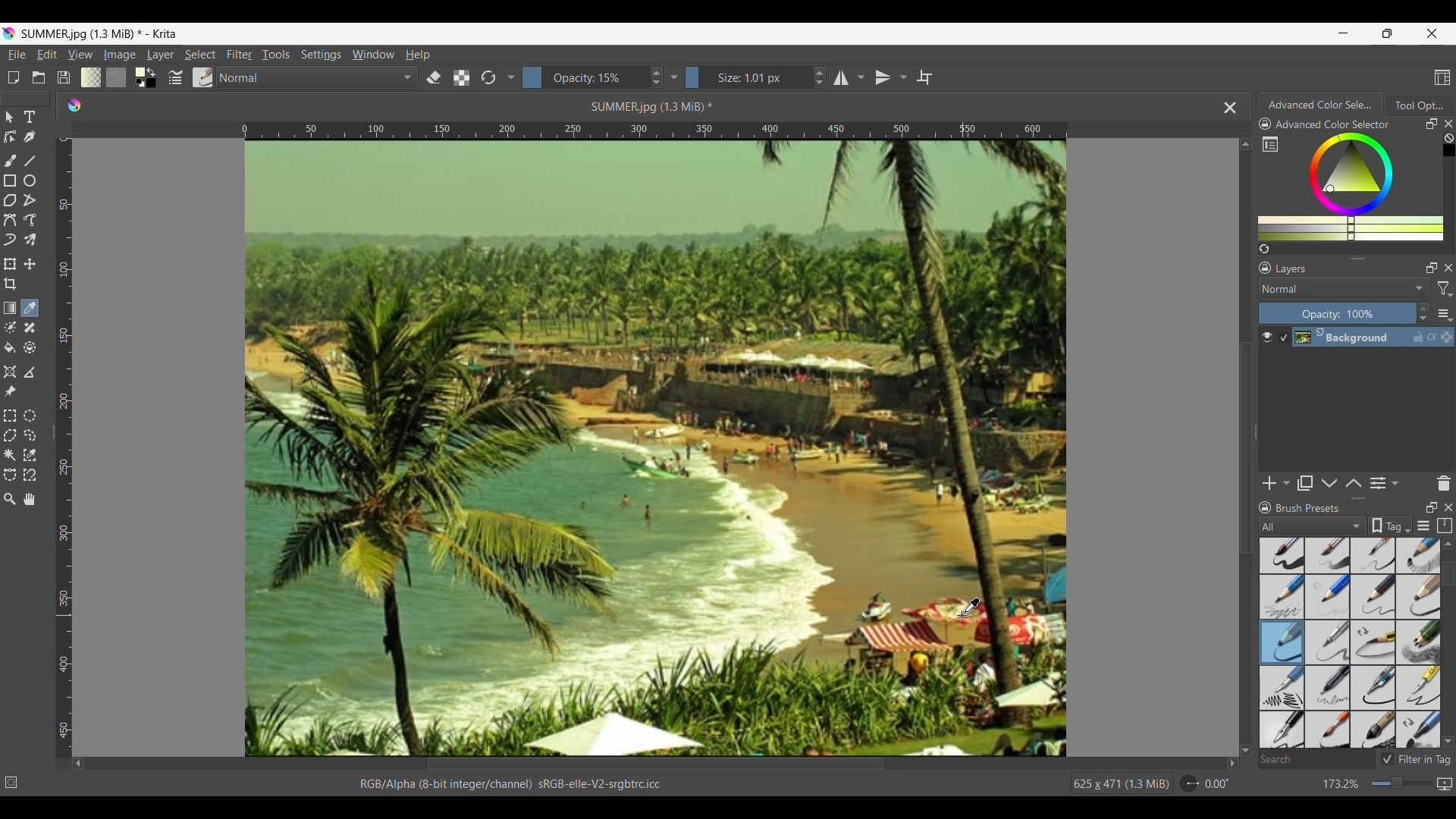 This screenshot has height=819, width=1456. I want to click on Make layer visible, so click(1267, 337).